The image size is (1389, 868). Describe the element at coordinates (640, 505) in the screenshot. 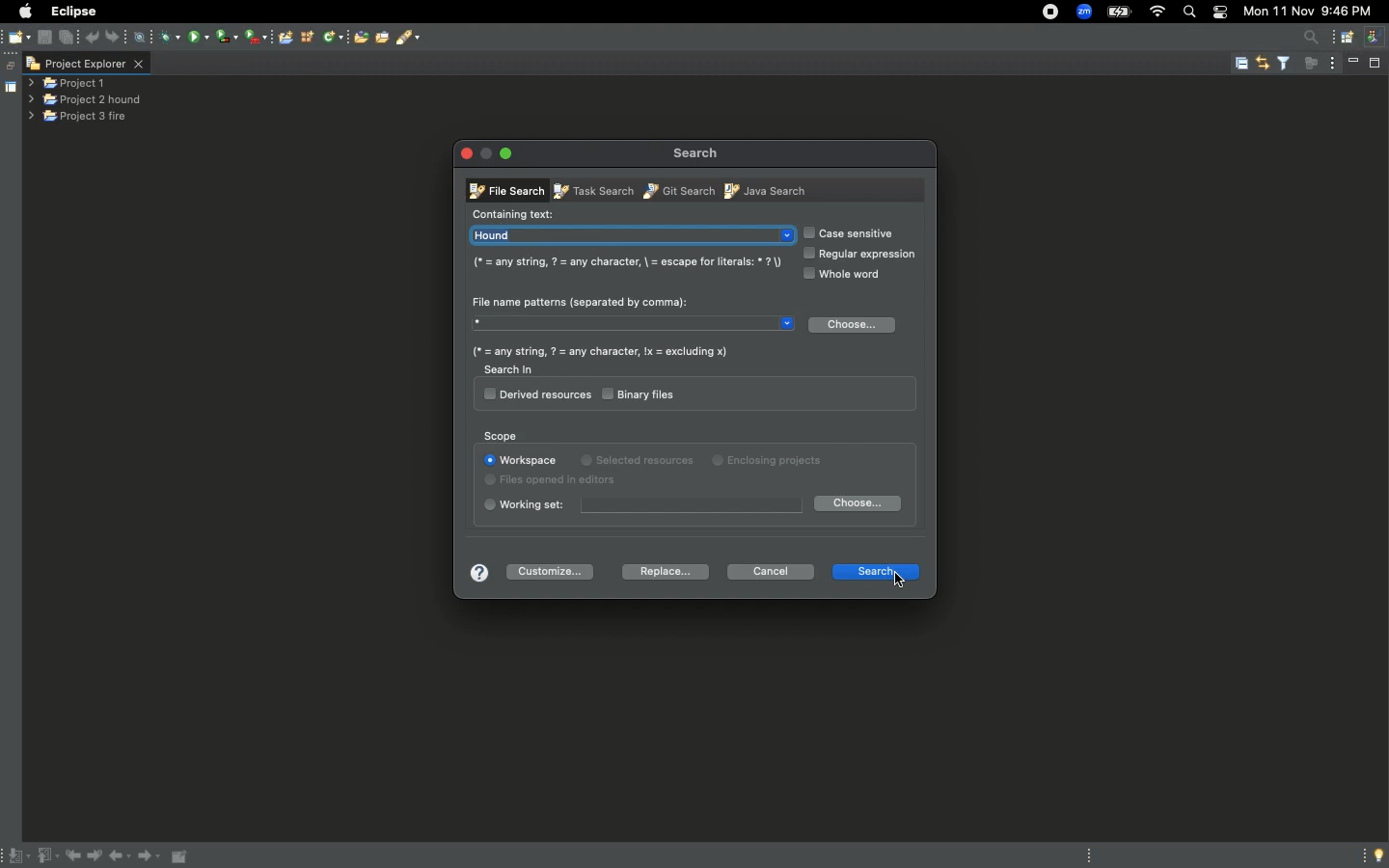

I see `Working set` at that location.